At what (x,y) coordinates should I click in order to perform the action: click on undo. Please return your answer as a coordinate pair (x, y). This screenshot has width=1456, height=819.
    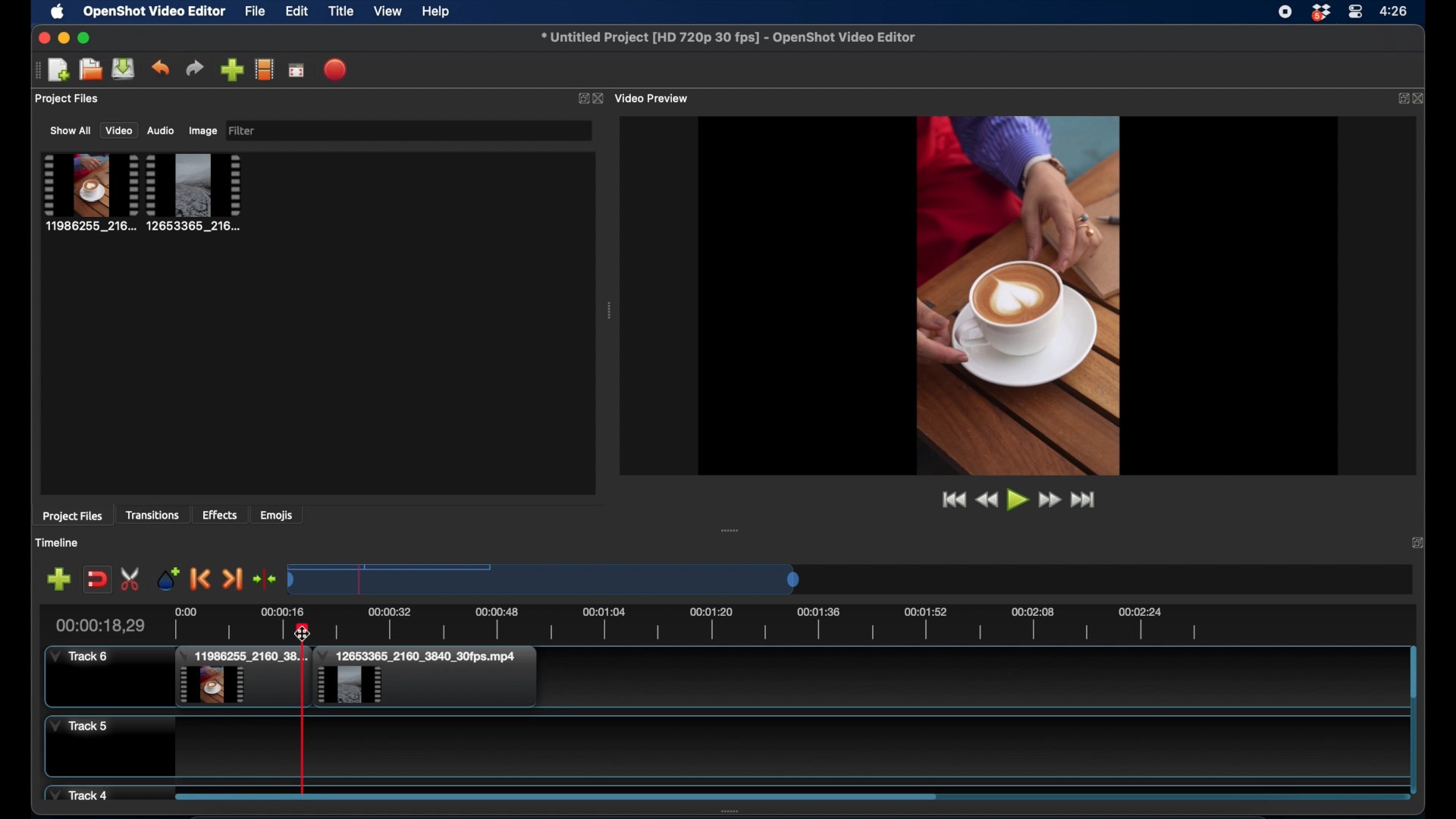
    Looking at the image, I should click on (162, 67).